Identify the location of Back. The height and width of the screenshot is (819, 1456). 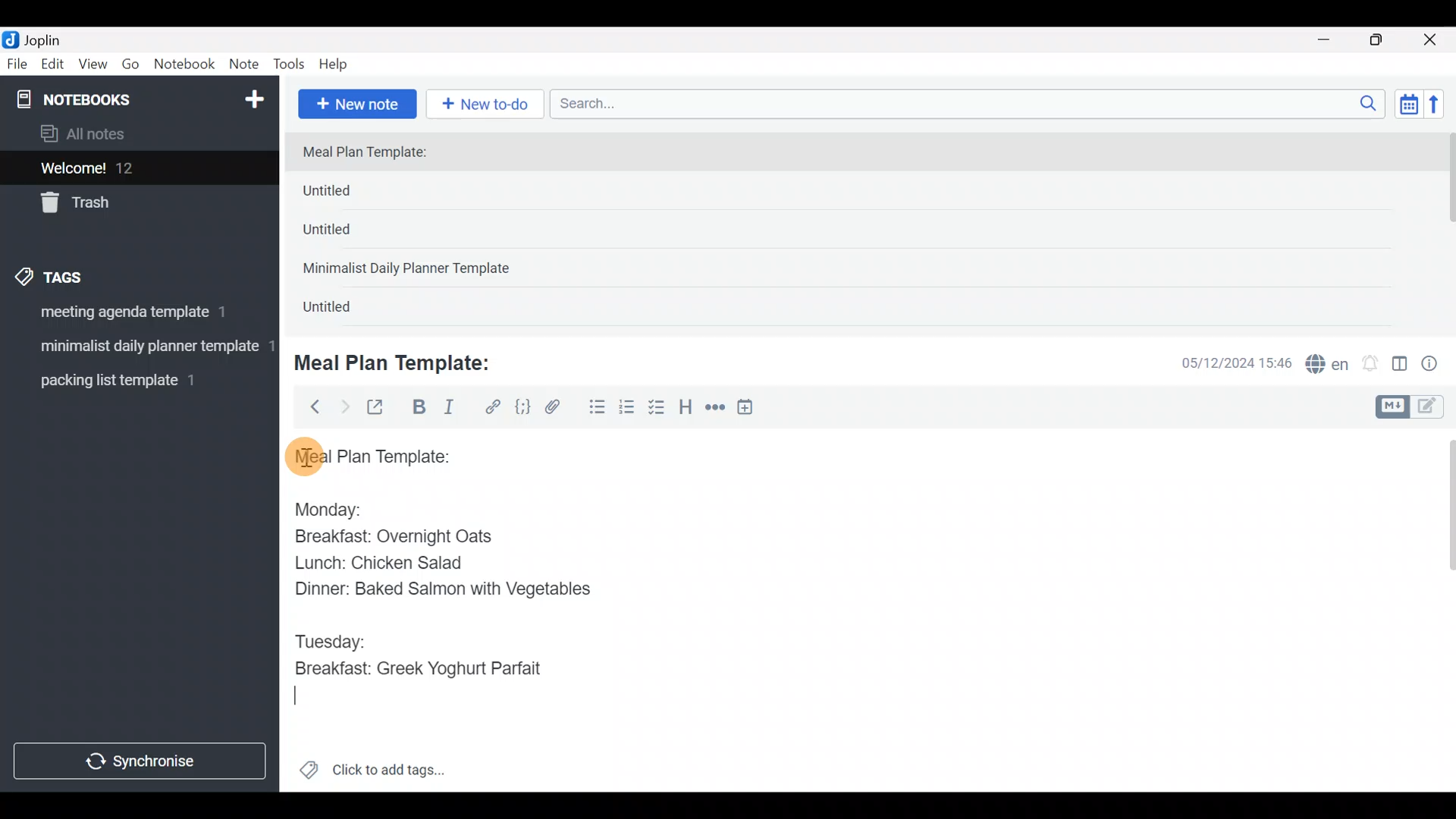
(309, 406).